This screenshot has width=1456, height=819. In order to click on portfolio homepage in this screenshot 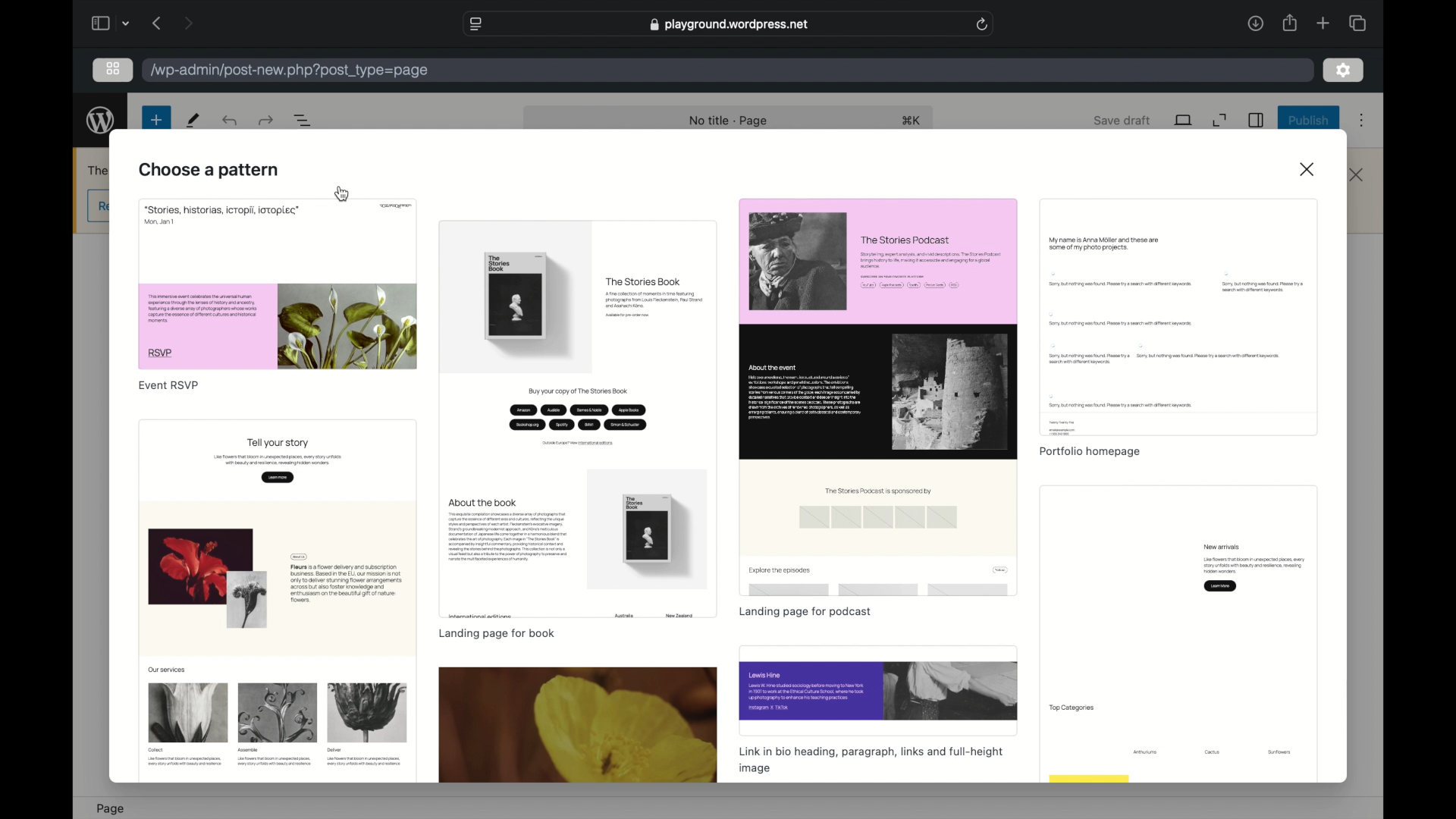, I will do `click(1090, 452)`.